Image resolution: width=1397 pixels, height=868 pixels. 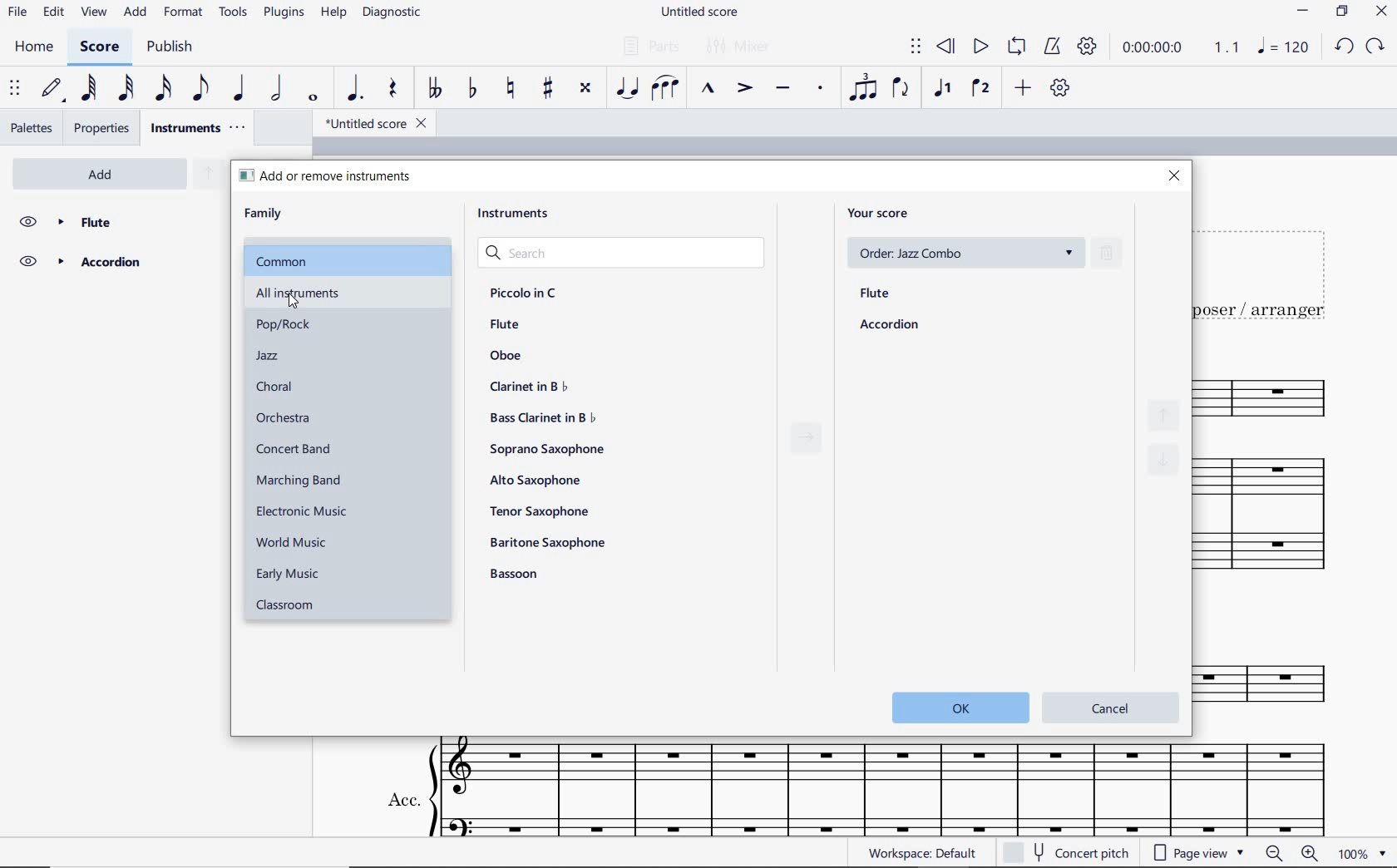 What do you see at coordinates (958, 706) in the screenshot?
I see `ok` at bounding box center [958, 706].